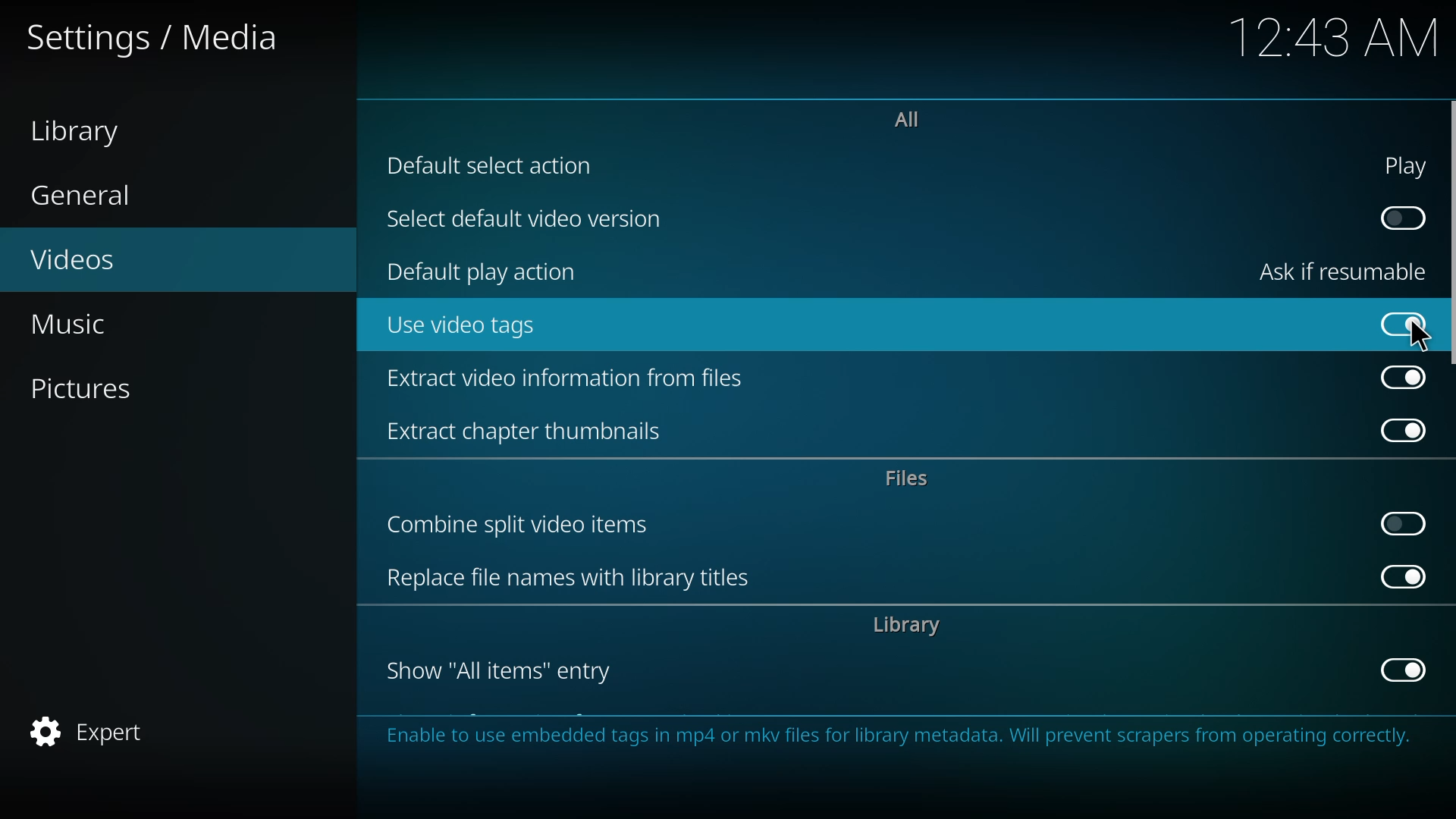  What do you see at coordinates (469, 328) in the screenshot?
I see `use video tags` at bounding box center [469, 328].